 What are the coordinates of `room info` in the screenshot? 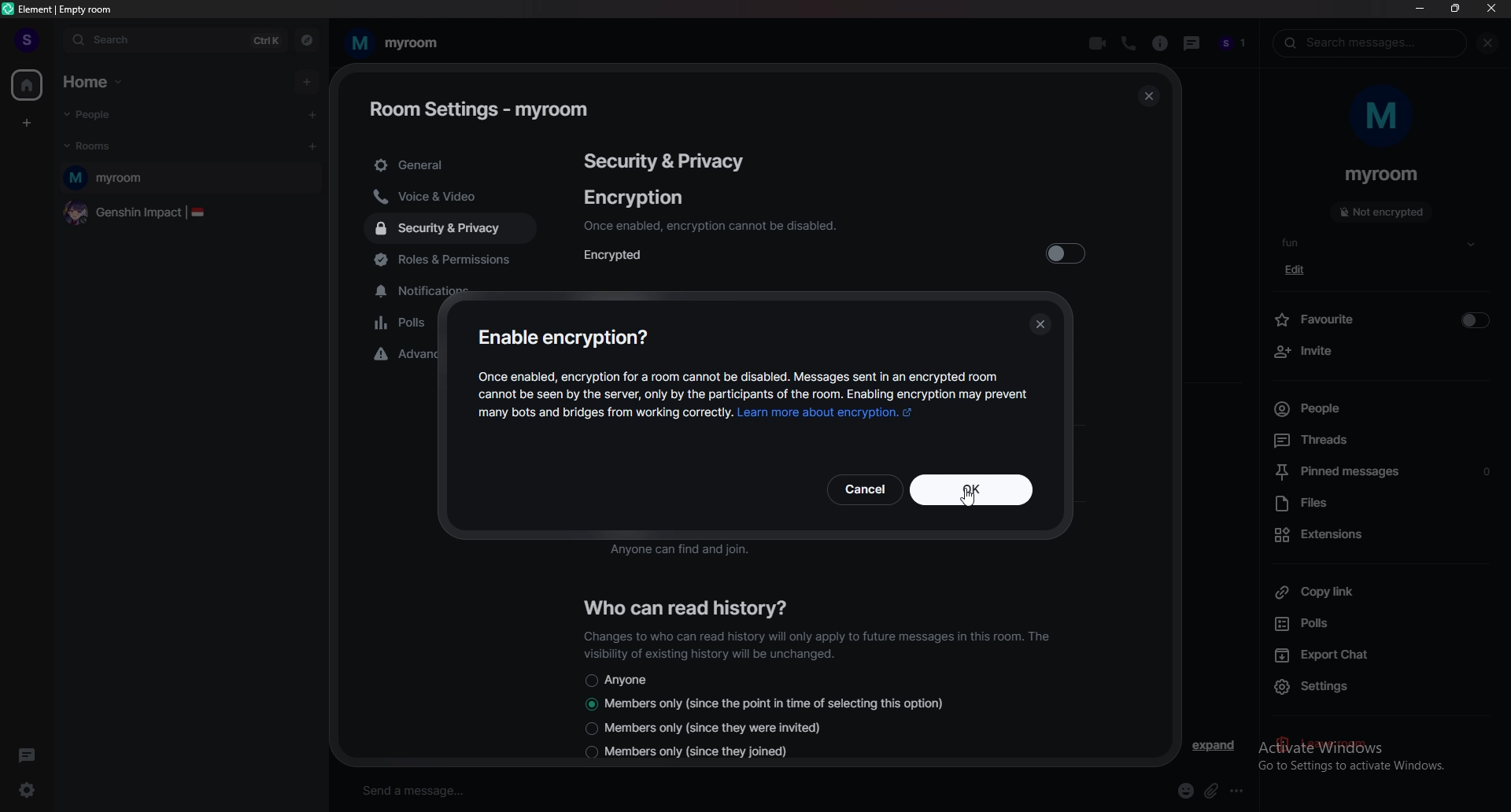 It's located at (1160, 44).